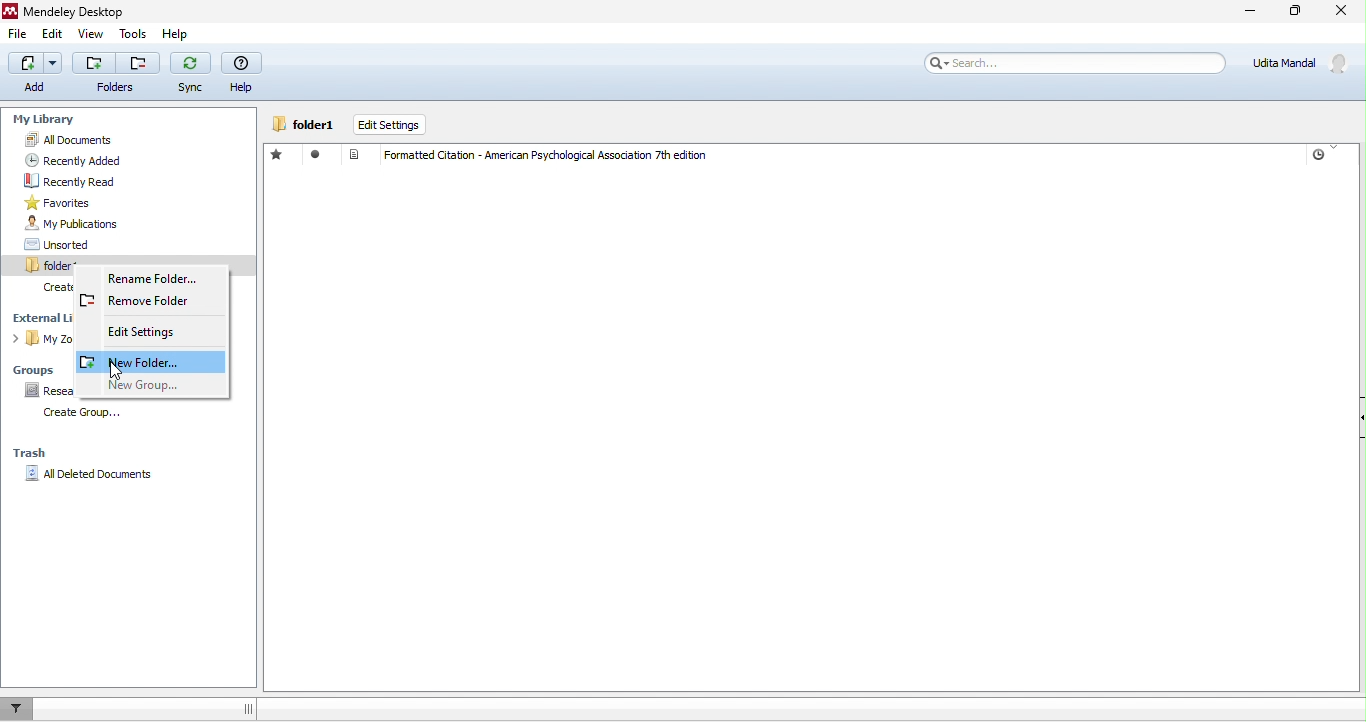 The image size is (1366, 722). Describe the element at coordinates (1317, 155) in the screenshot. I see `Timer logo` at that location.